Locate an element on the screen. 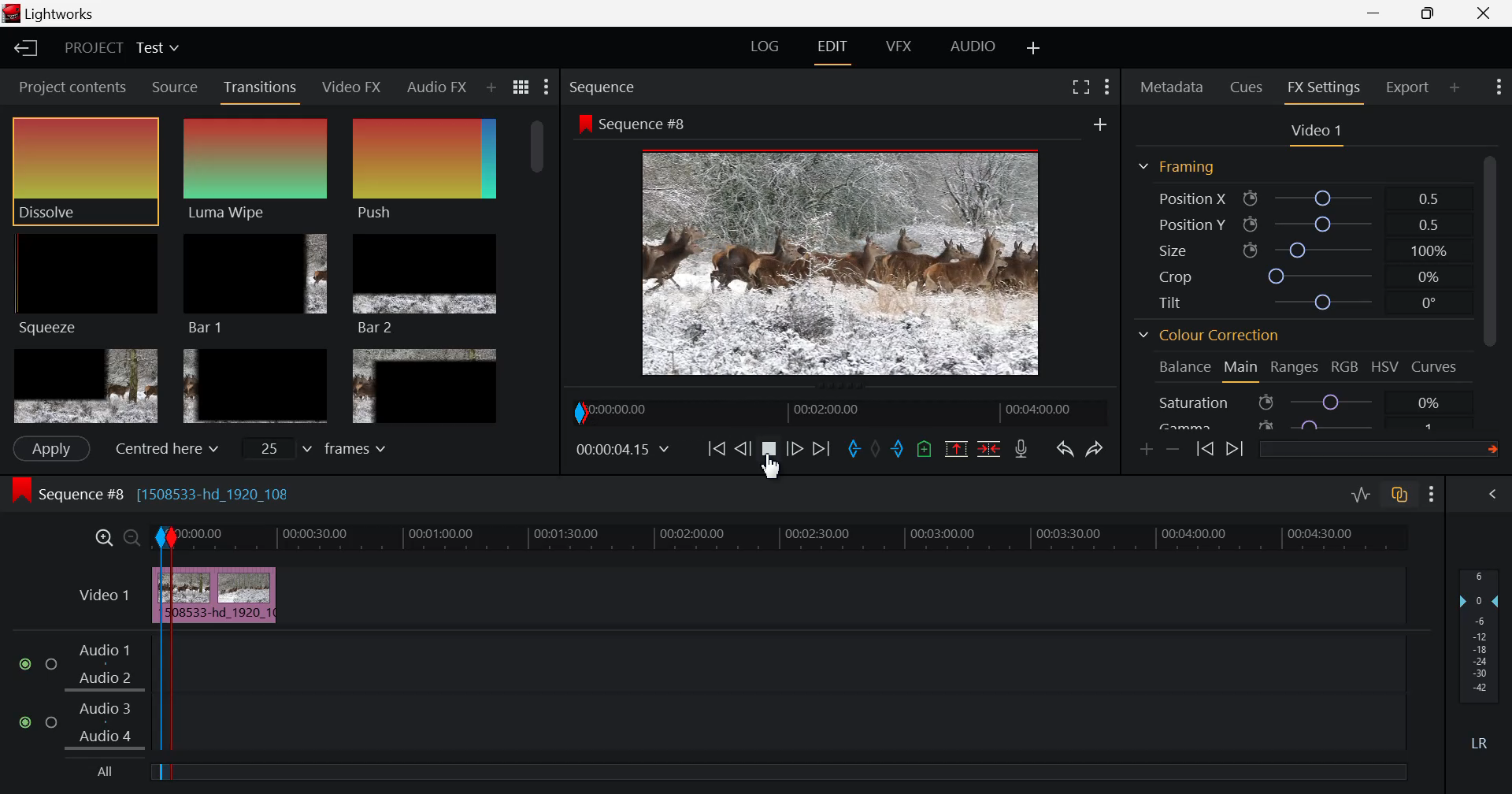 The image size is (1512, 794). Undo is located at coordinates (1063, 447).